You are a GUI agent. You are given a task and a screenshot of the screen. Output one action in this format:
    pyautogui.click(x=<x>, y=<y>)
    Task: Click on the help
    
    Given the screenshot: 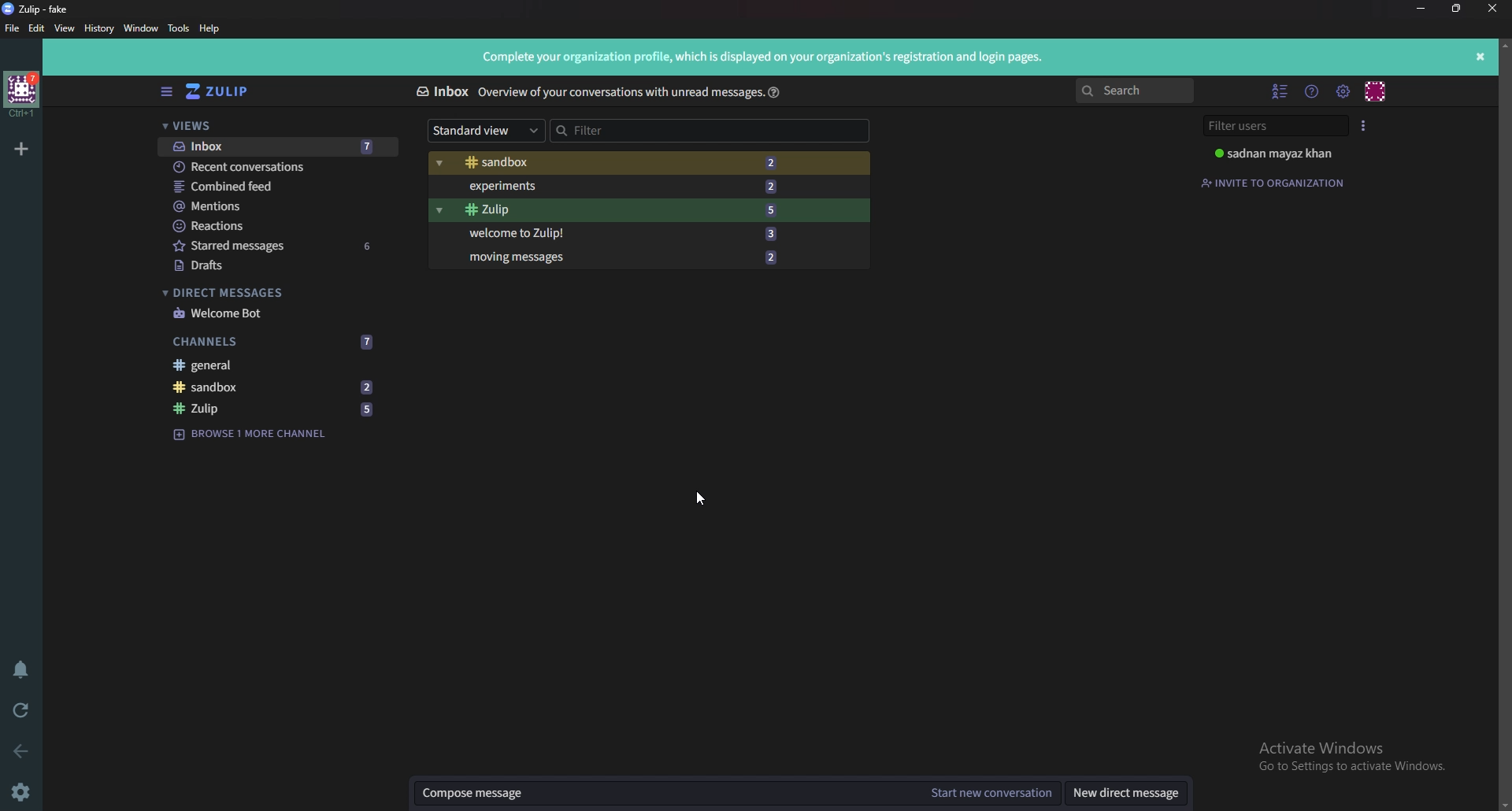 What is the action you would take?
    pyautogui.click(x=776, y=90)
    